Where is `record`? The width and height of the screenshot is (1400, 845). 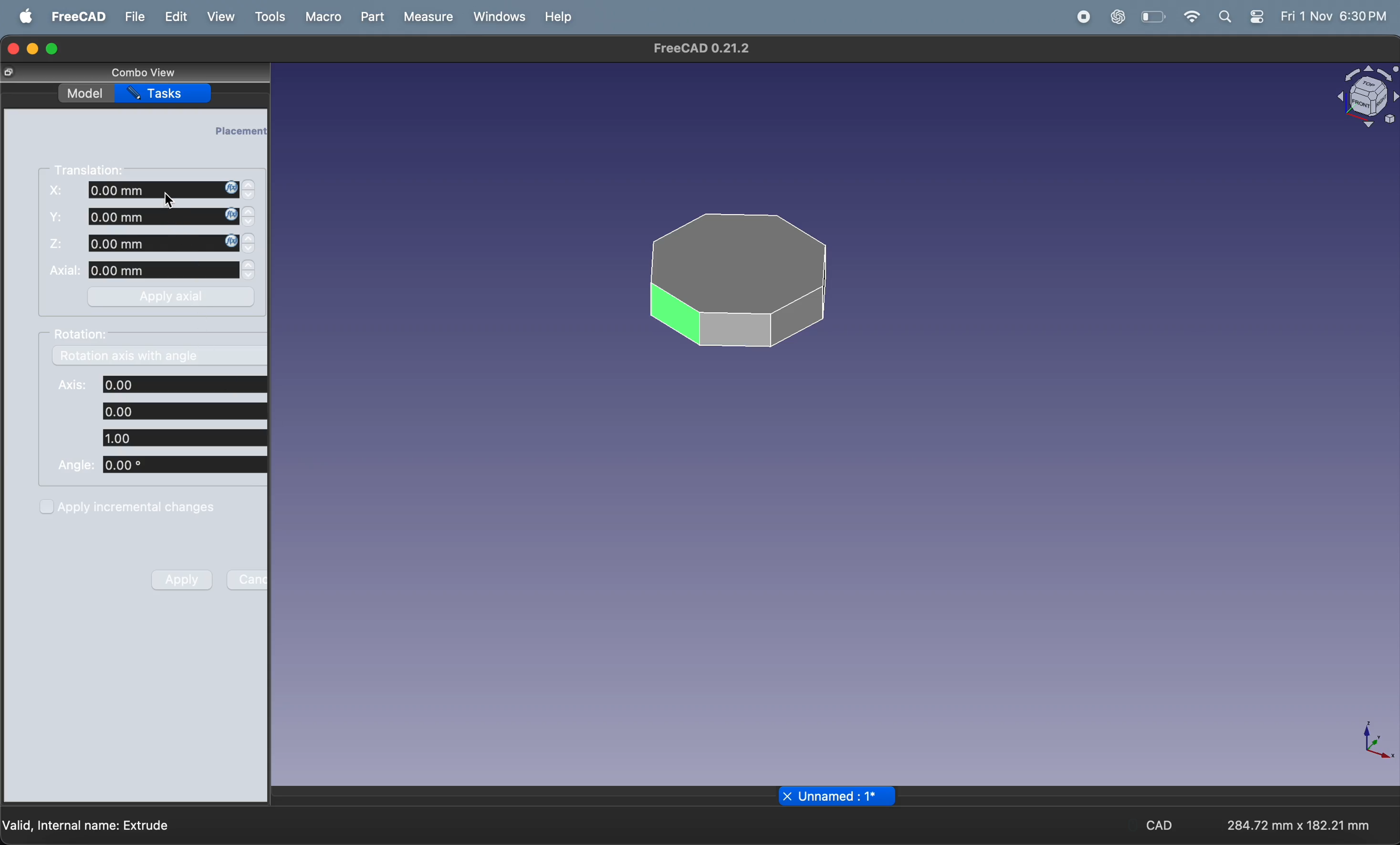 record is located at coordinates (1079, 17).